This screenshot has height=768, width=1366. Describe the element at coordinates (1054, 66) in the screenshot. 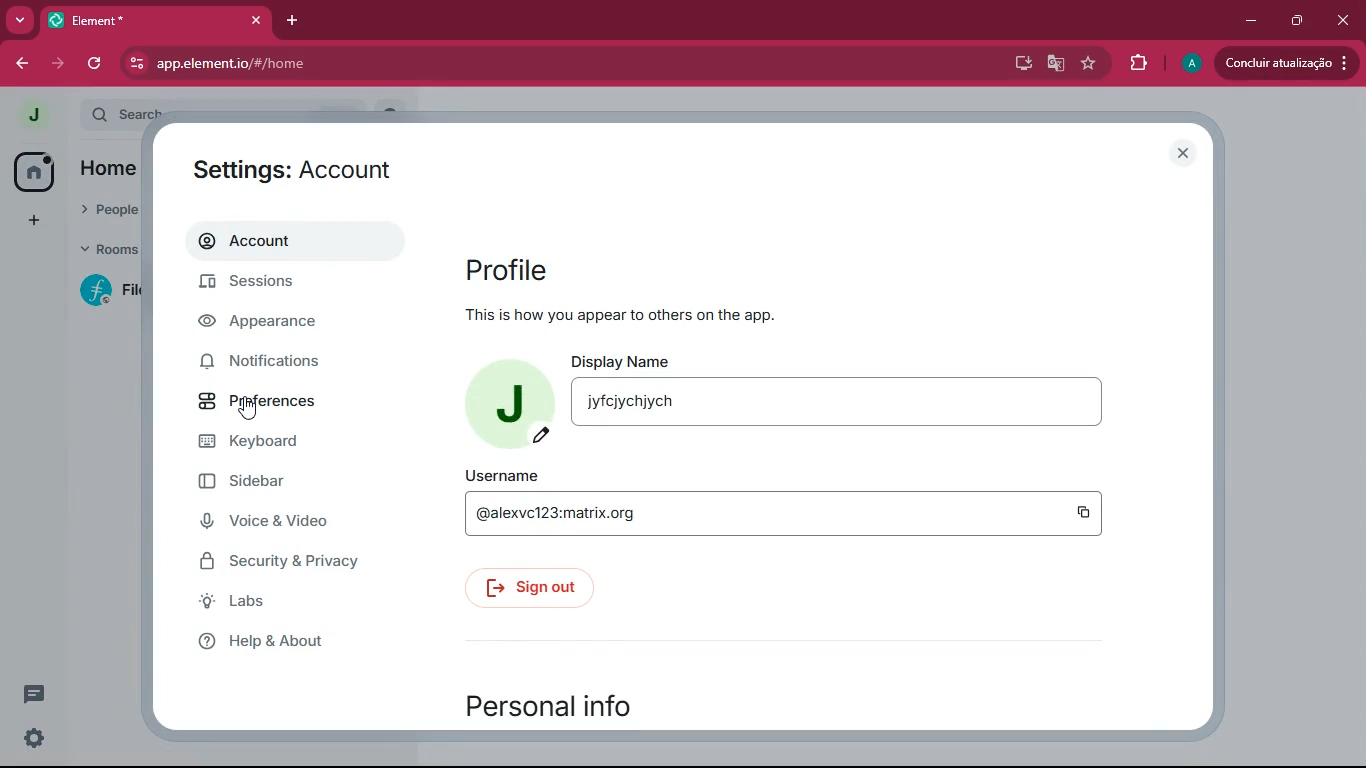

I see `google translate` at that location.